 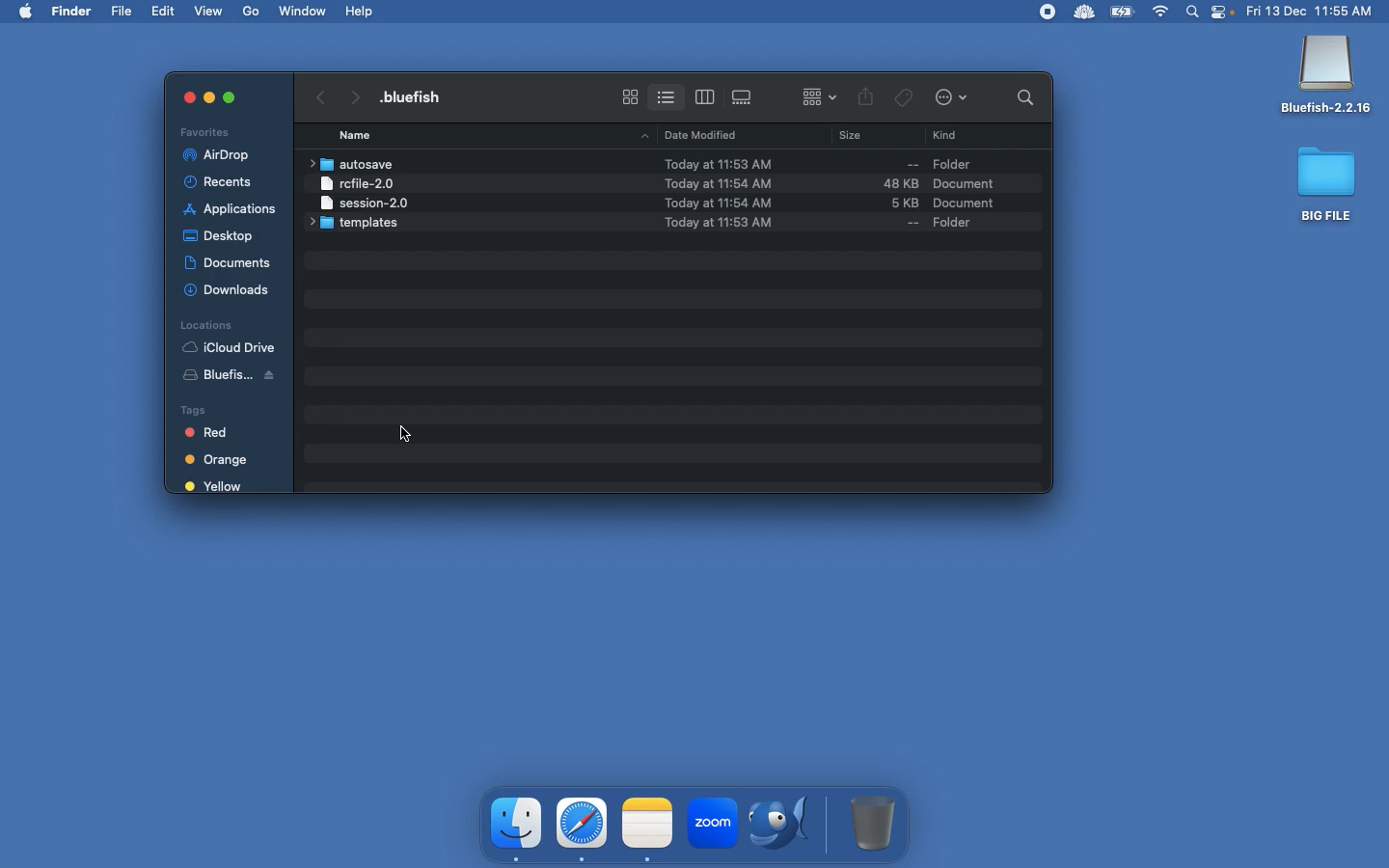 I want to click on red, so click(x=217, y=434).